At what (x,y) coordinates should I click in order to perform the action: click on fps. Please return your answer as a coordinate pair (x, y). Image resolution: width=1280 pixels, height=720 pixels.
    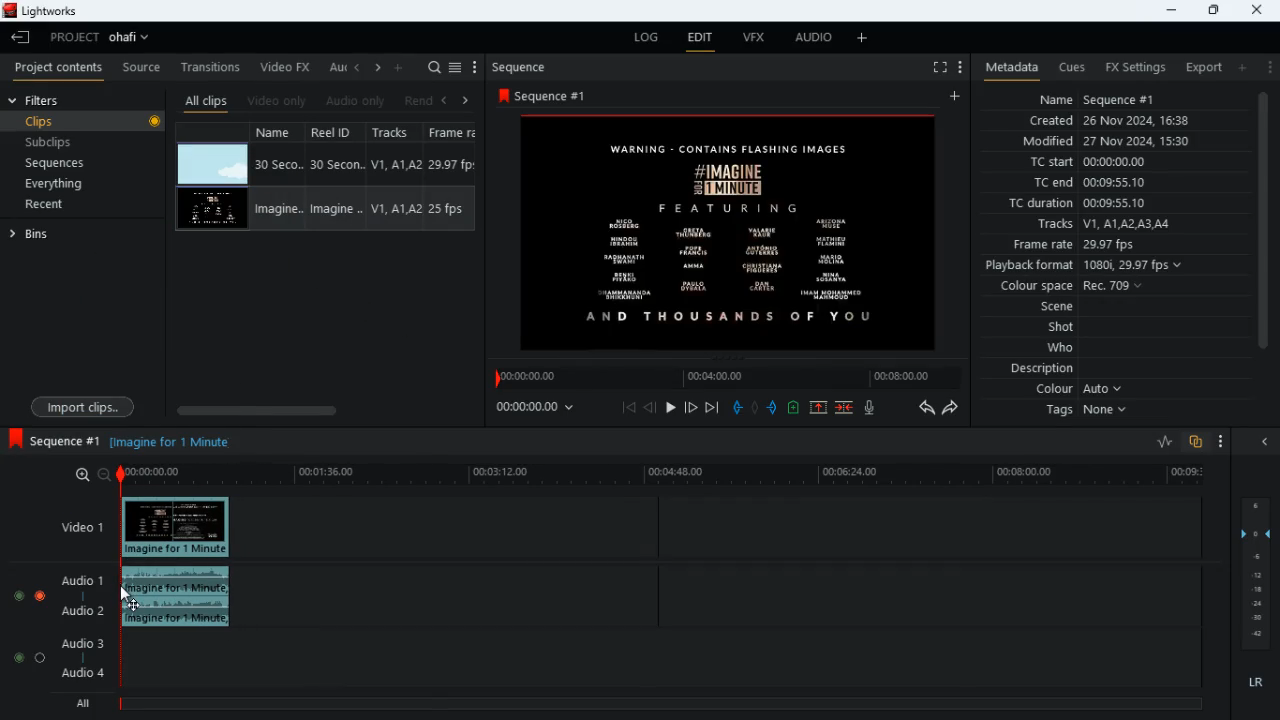
    Looking at the image, I should click on (454, 132).